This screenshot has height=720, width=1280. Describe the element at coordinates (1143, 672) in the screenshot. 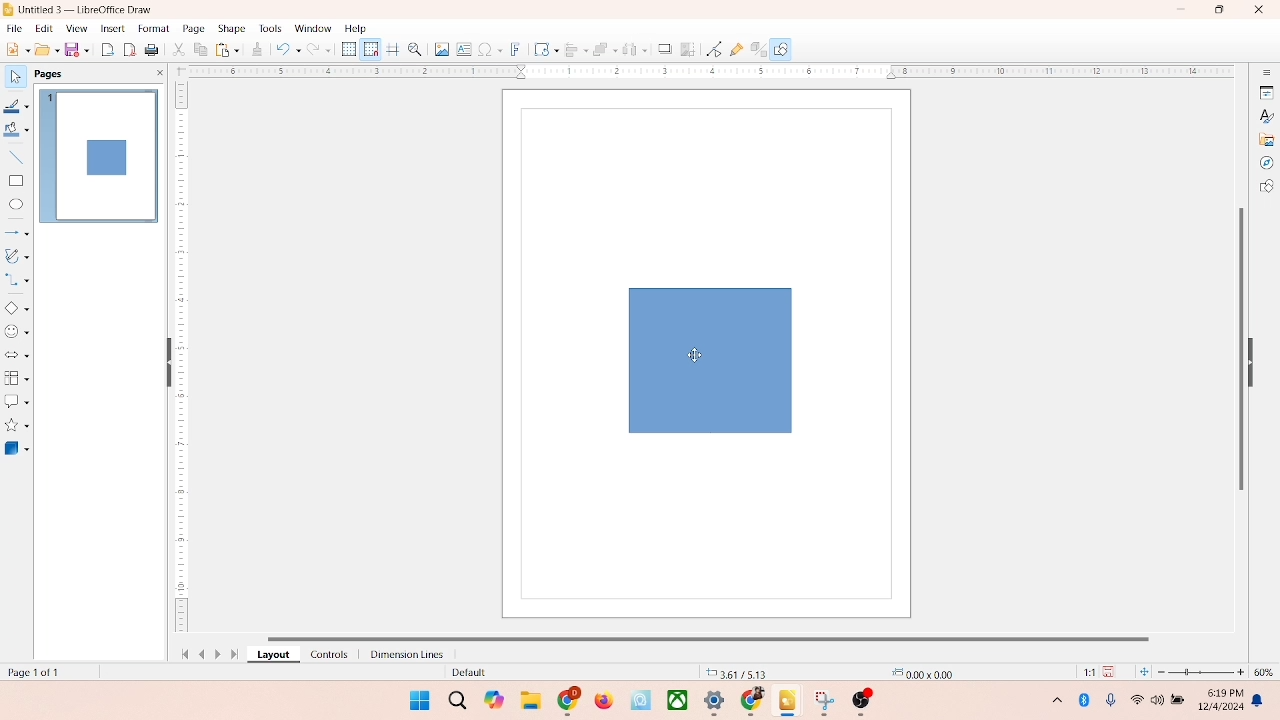

I see `fit to current window` at that location.